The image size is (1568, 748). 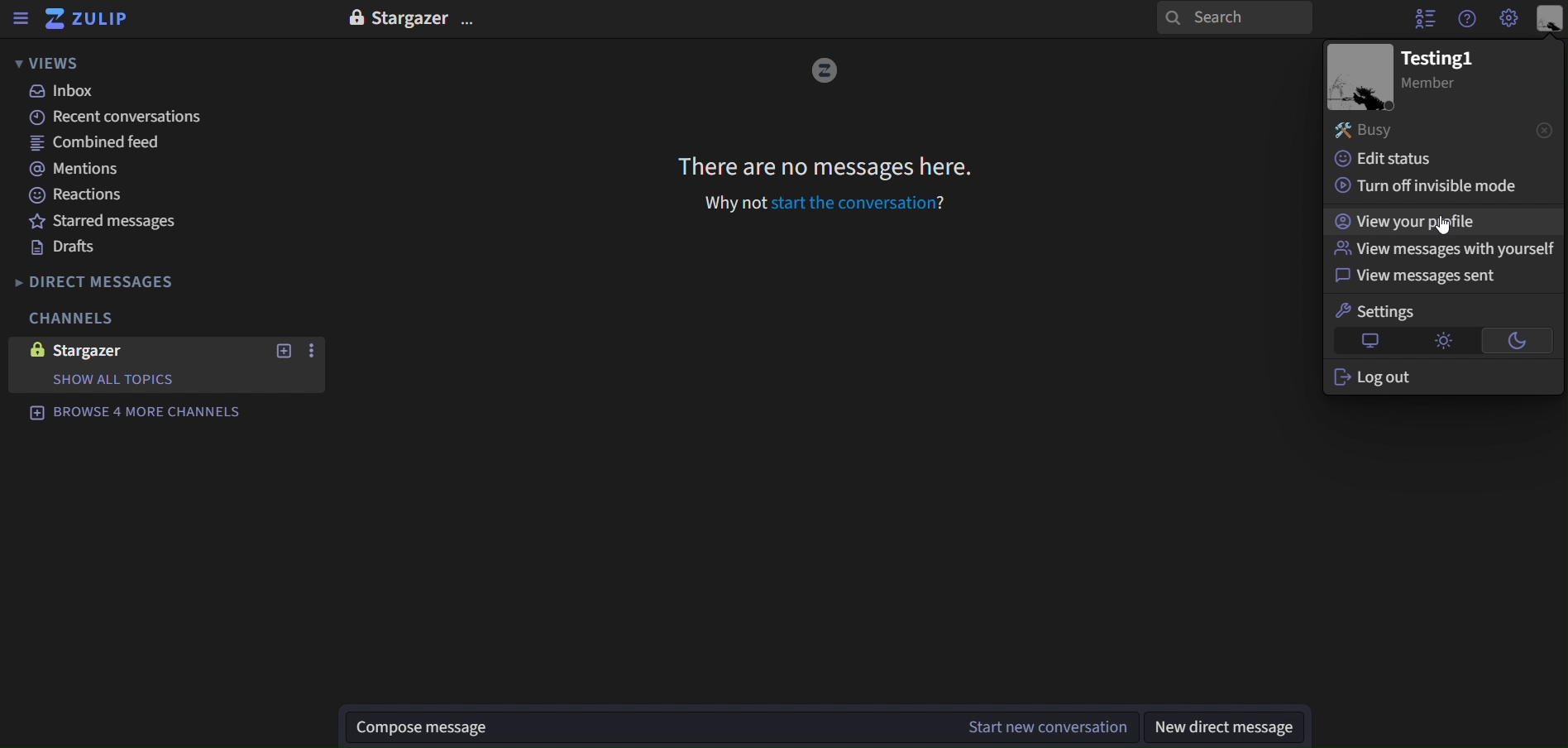 I want to click on edit status, so click(x=1398, y=160).